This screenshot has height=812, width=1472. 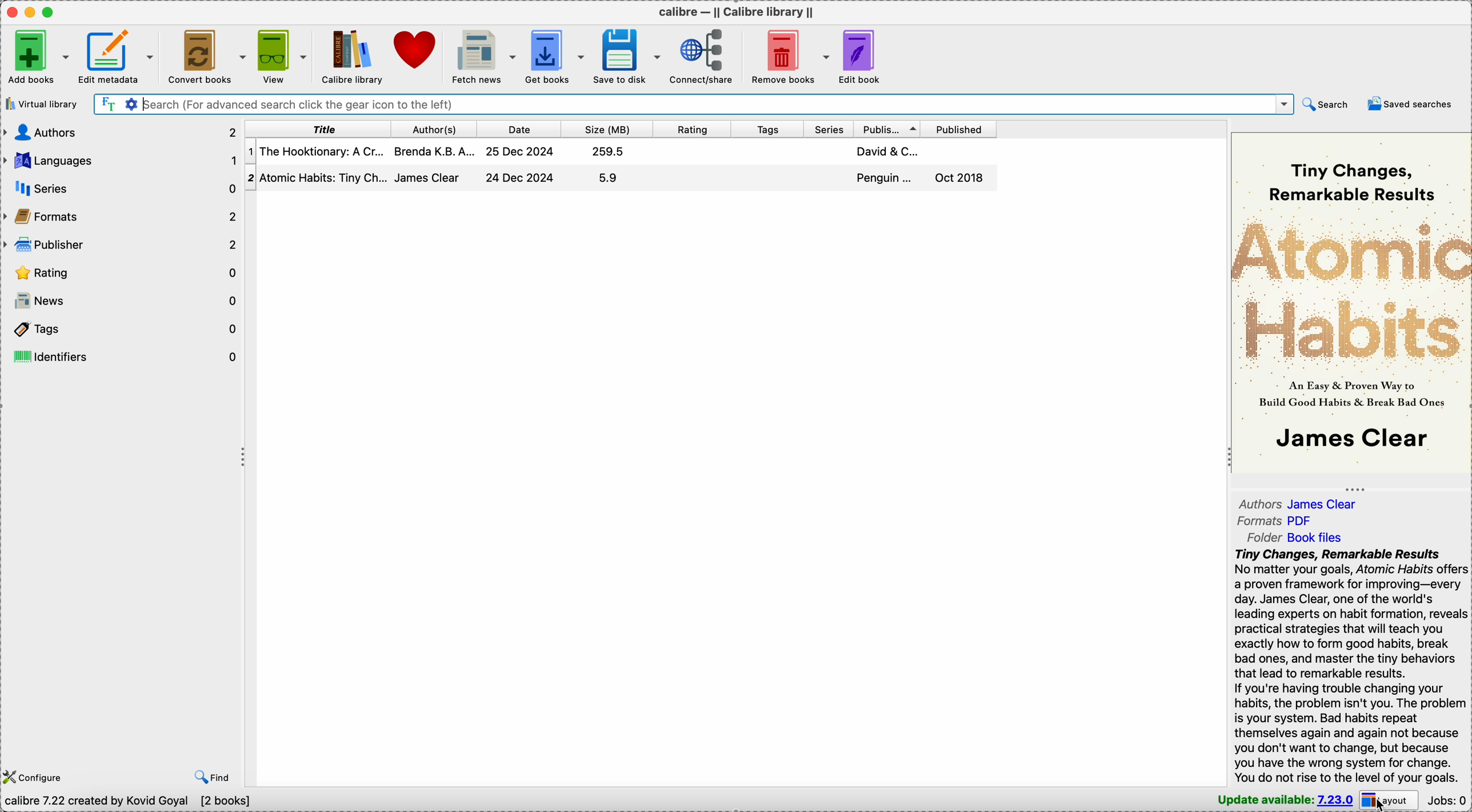 I want to click on rating, so click(x=692, y=129).